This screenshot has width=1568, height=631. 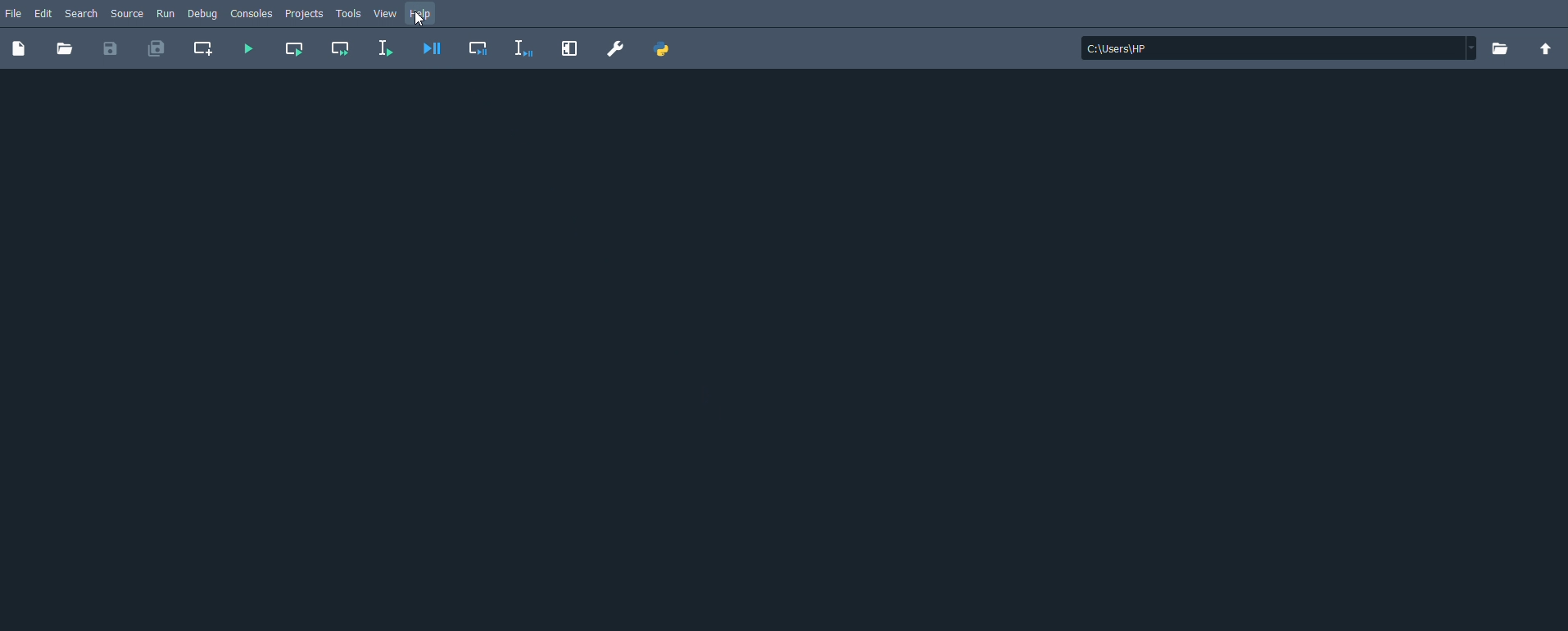 I want to click on Consoles, so click(x=252, y=13).